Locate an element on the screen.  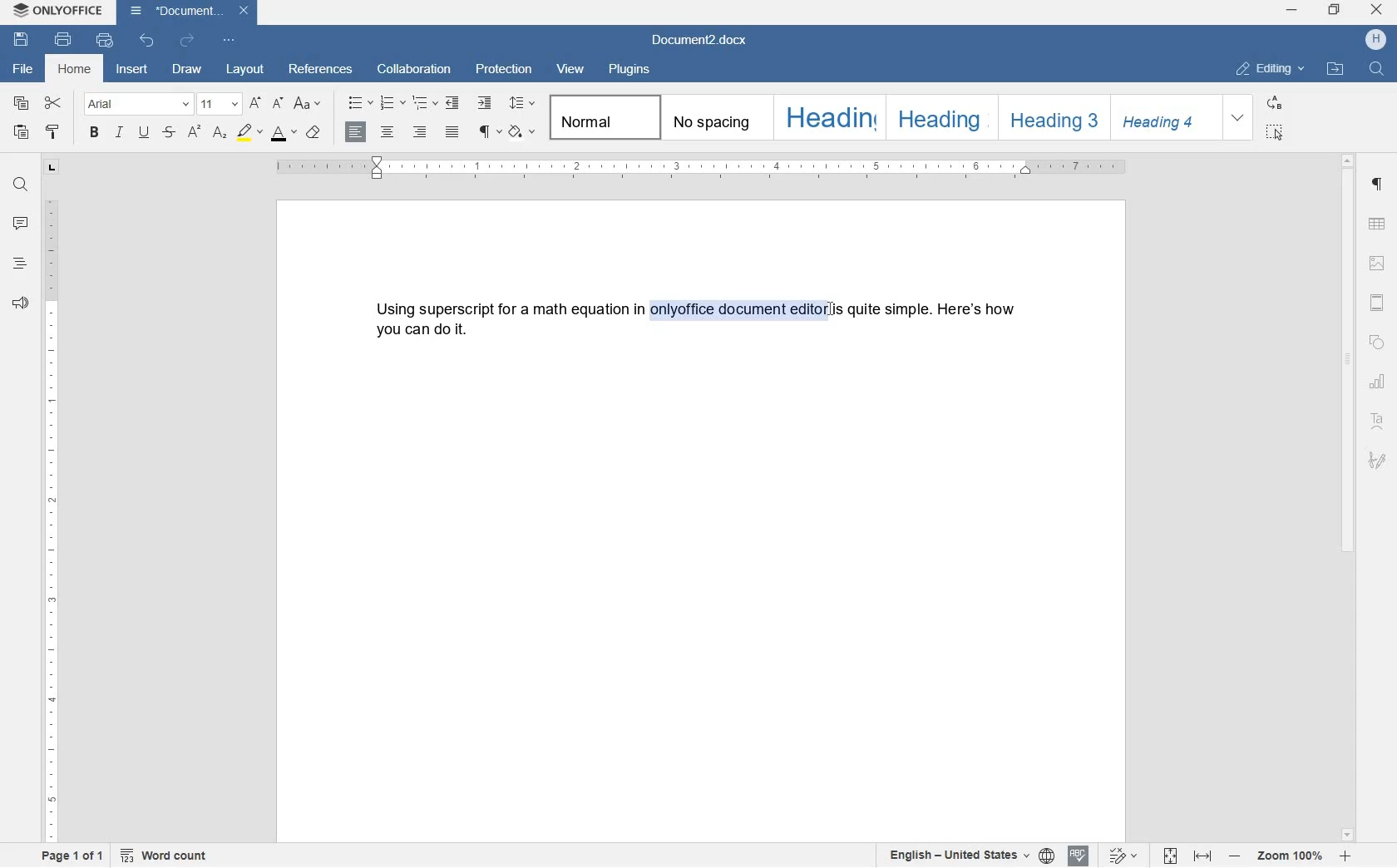
numbering is located at coordinates (392, 102).